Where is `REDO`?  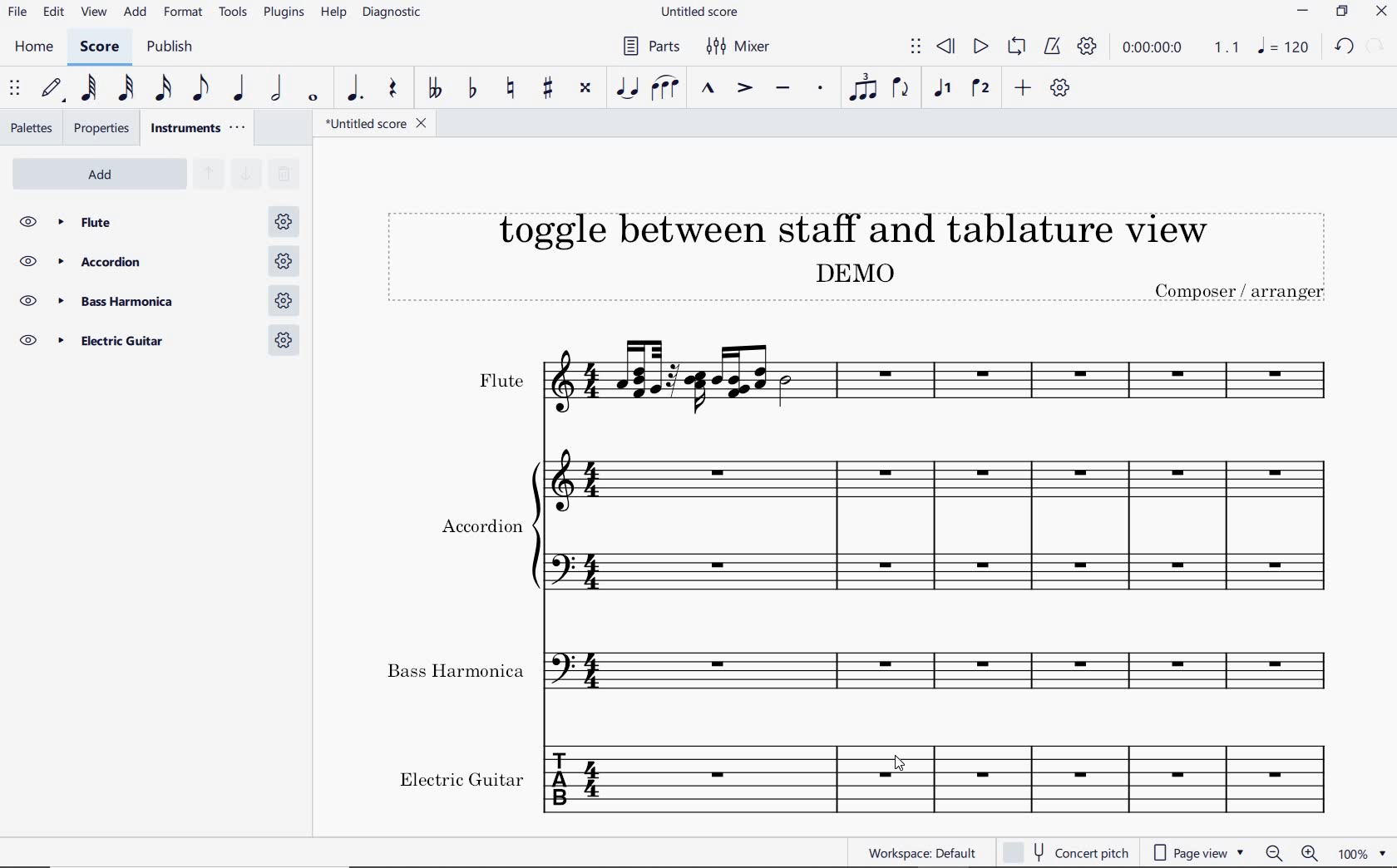 REDO is located at coordinates (1375, 47).